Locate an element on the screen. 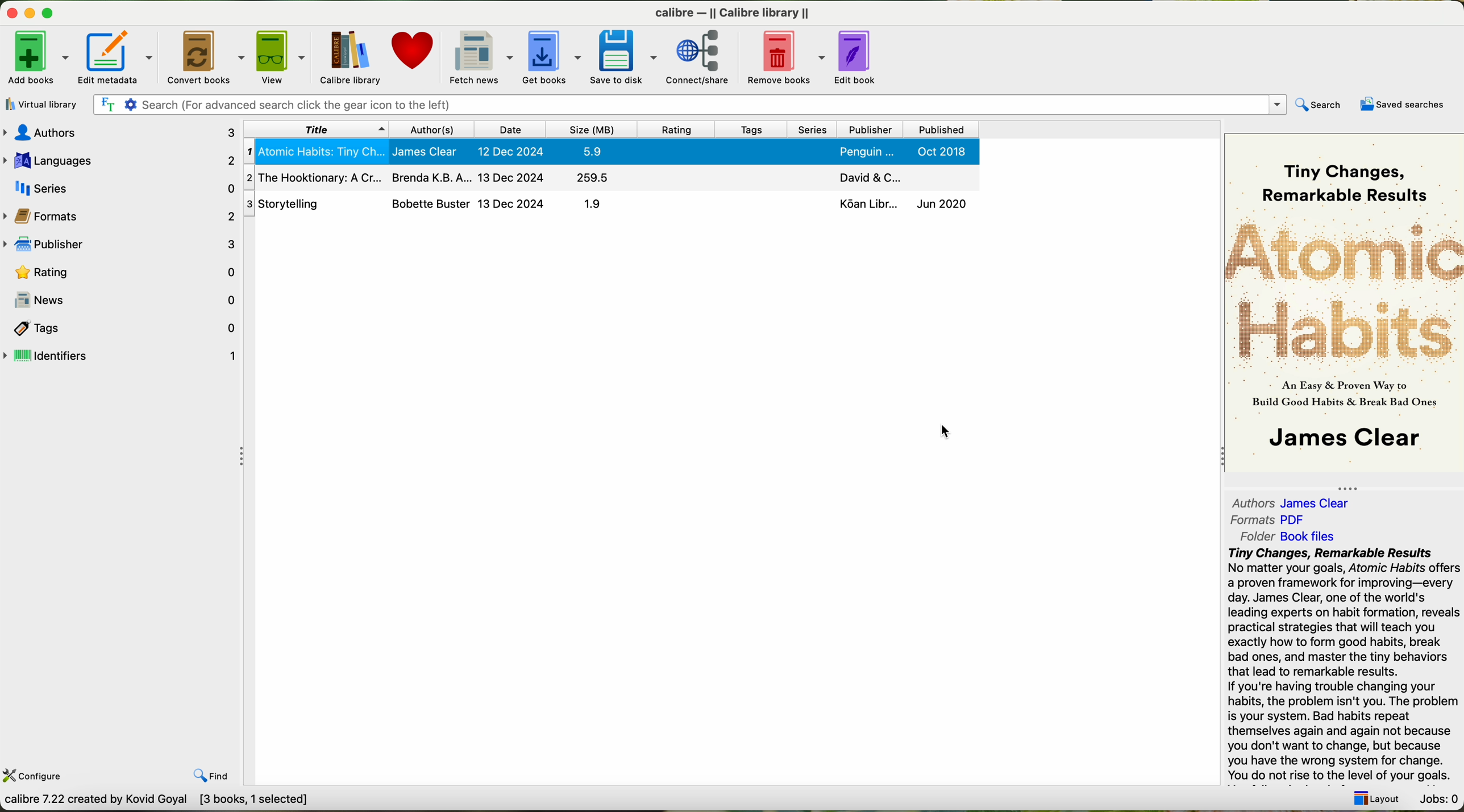 The height and width of the screenshot is (812, 1464). An easy proven way to build Good Habits & Break Bad Ones is located at coordinates (1342, 398).